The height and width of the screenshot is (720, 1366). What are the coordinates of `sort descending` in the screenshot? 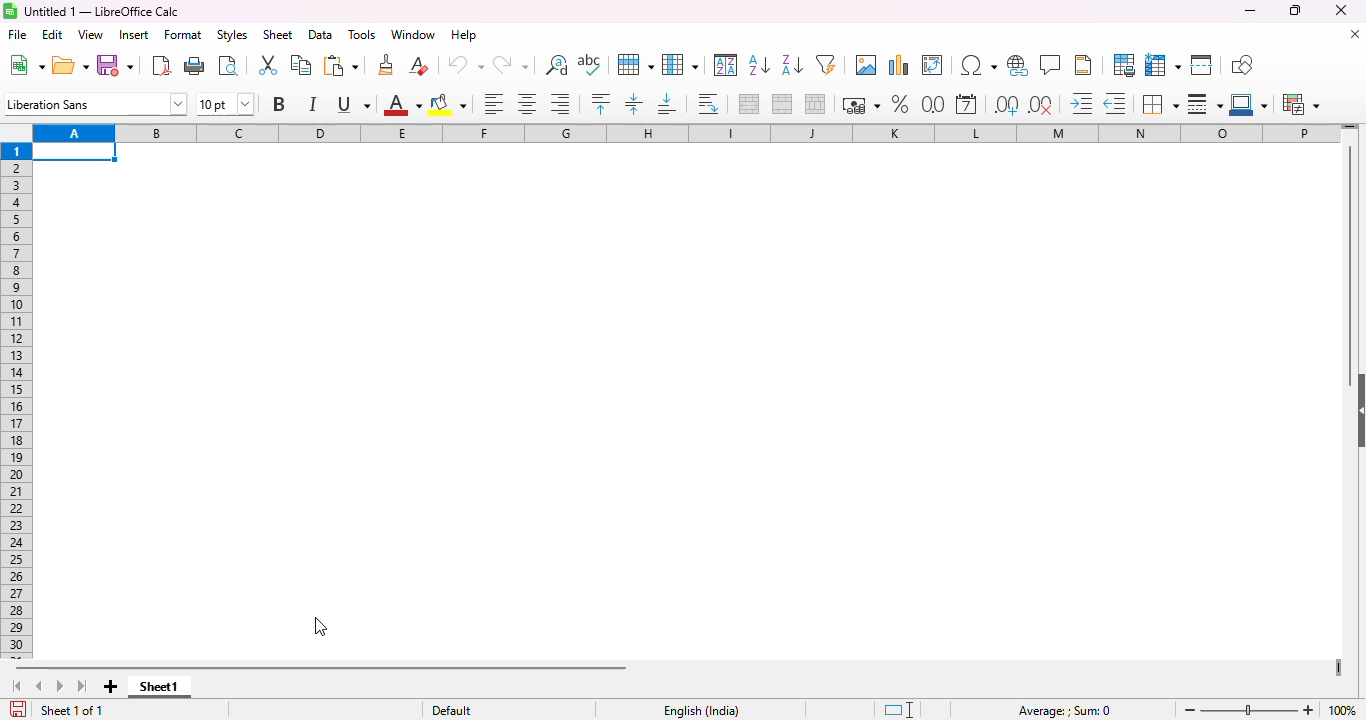 It's located at (793, 65).